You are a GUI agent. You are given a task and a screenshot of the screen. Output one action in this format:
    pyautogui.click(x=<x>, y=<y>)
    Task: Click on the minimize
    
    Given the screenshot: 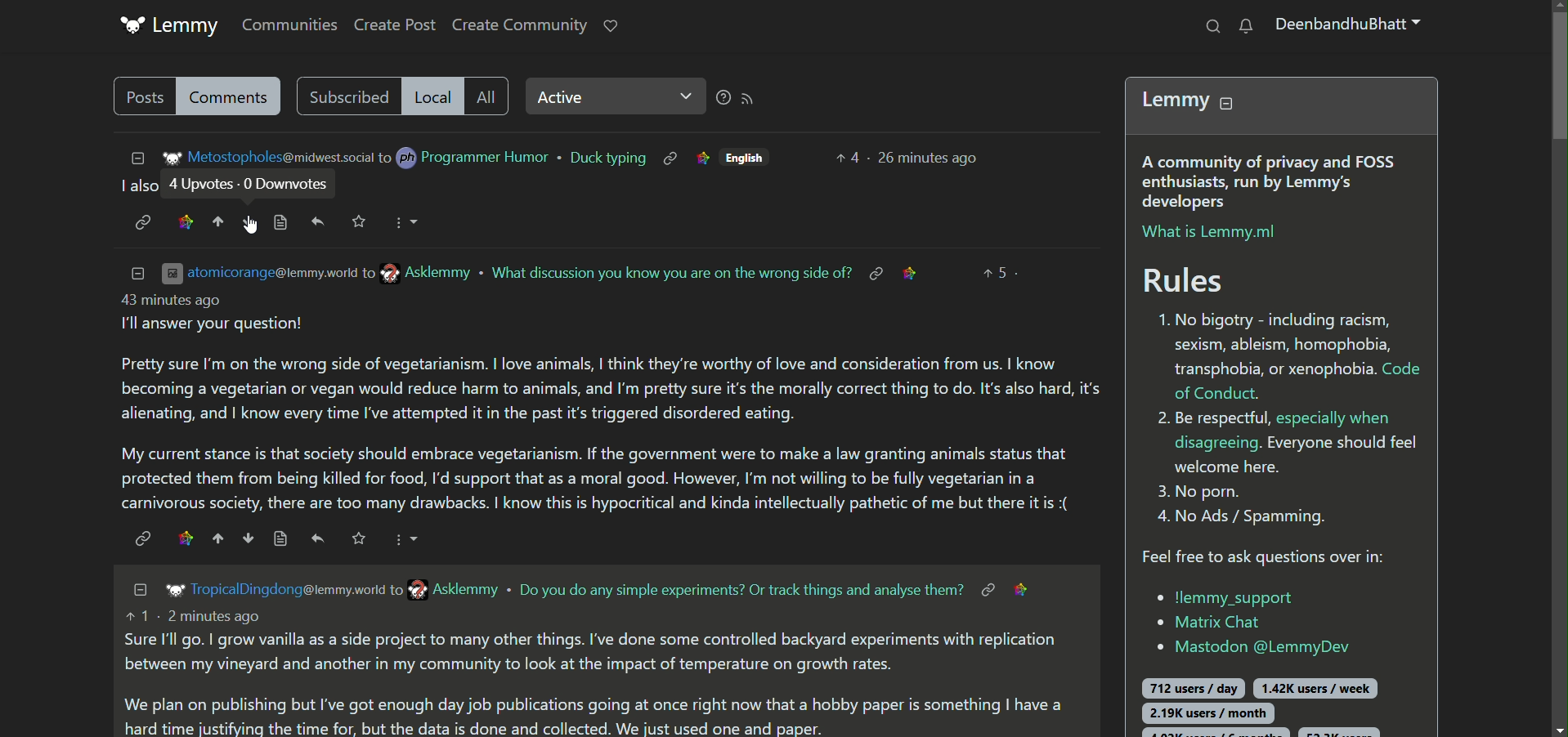 What is the action you would take?
    pyautogui.click(x=137, y=271)
    